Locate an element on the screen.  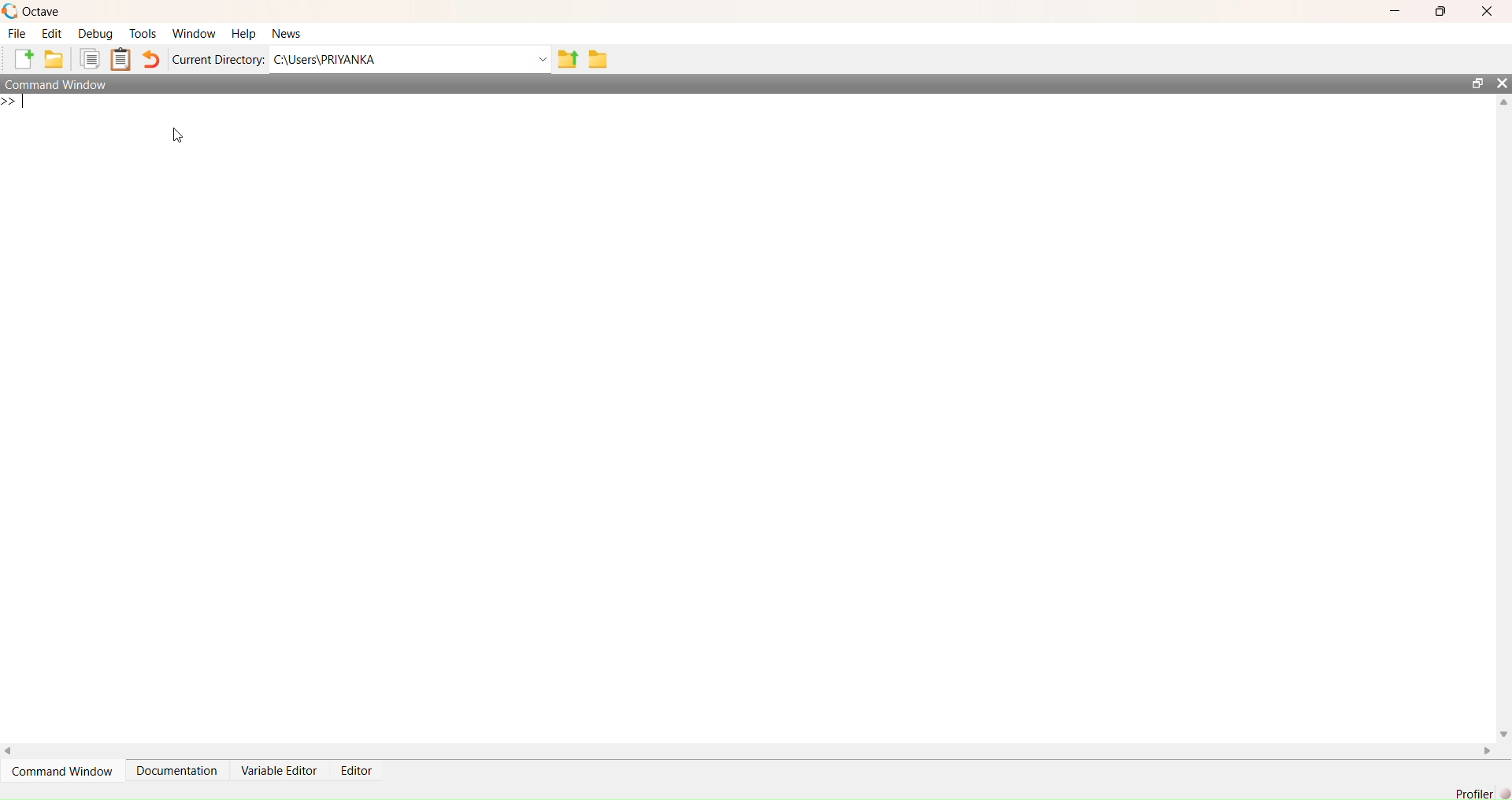
minimise is located at coordinates (1392, 9).